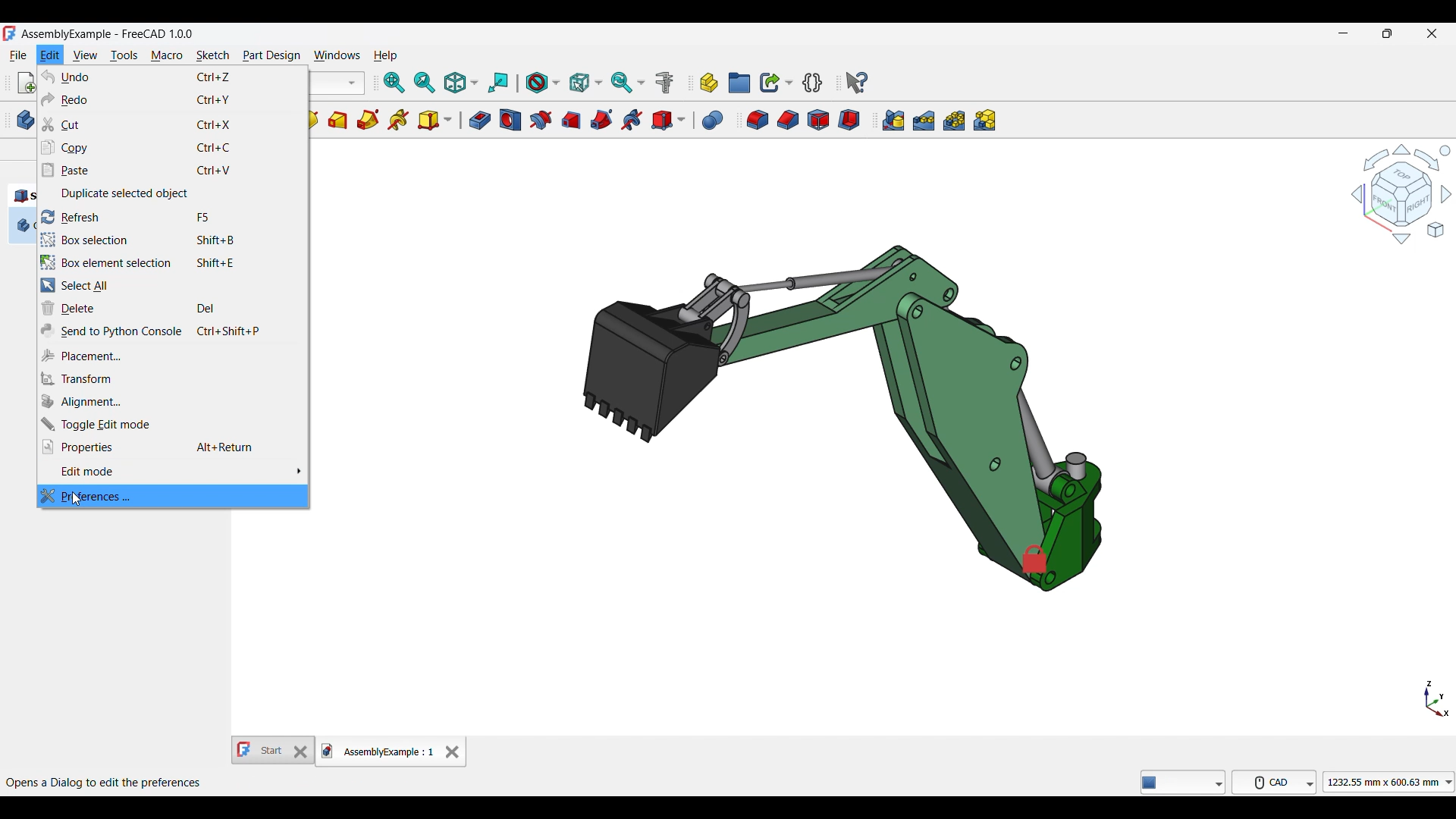 The width and height of the screenshot is (1456, 819). Describe the element at coordinates (274, 750) in the screenshot. I see `Other tab` at that location.